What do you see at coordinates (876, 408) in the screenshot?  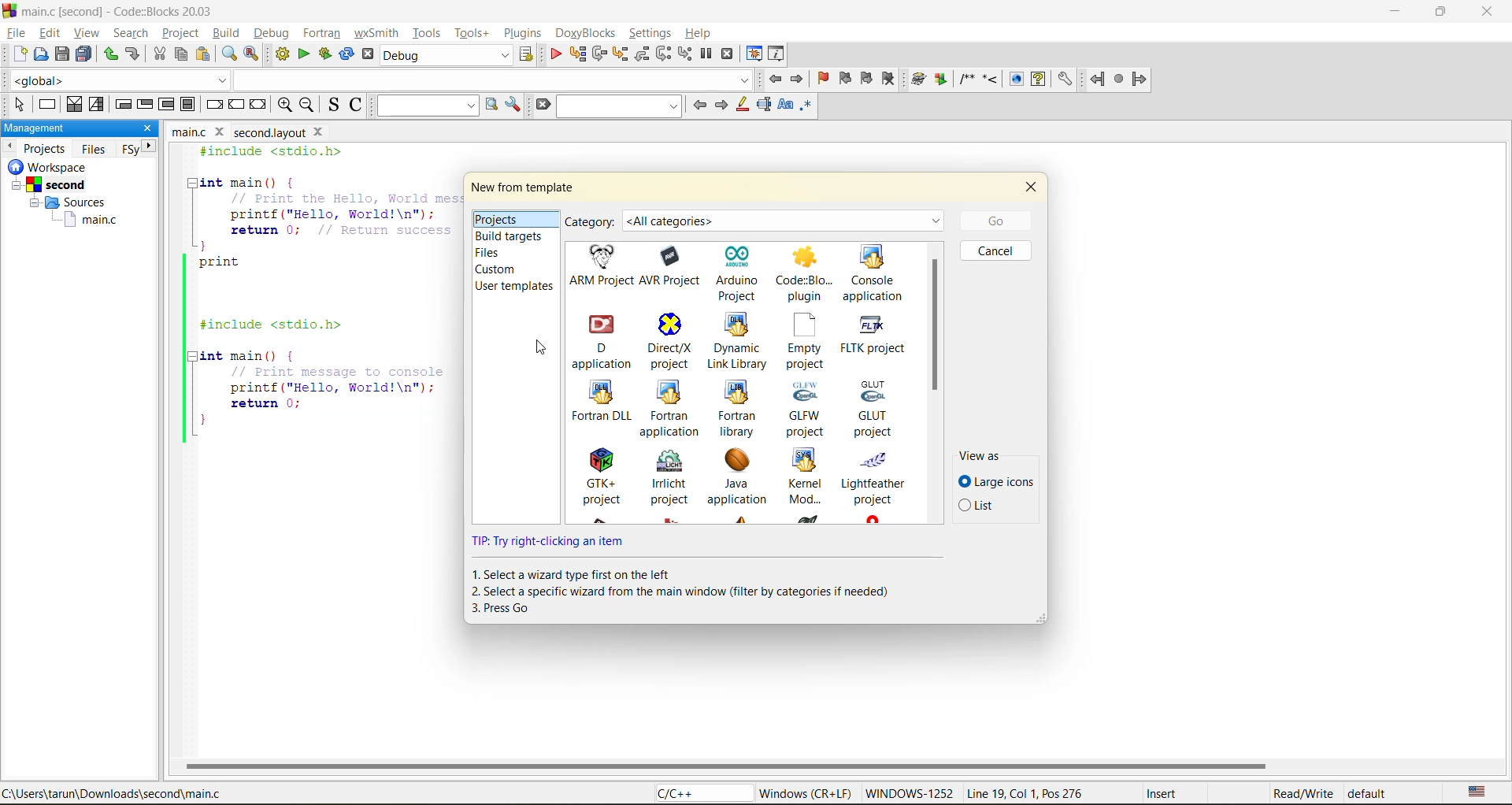 I see `glut project` at bounding box center [876, 408].